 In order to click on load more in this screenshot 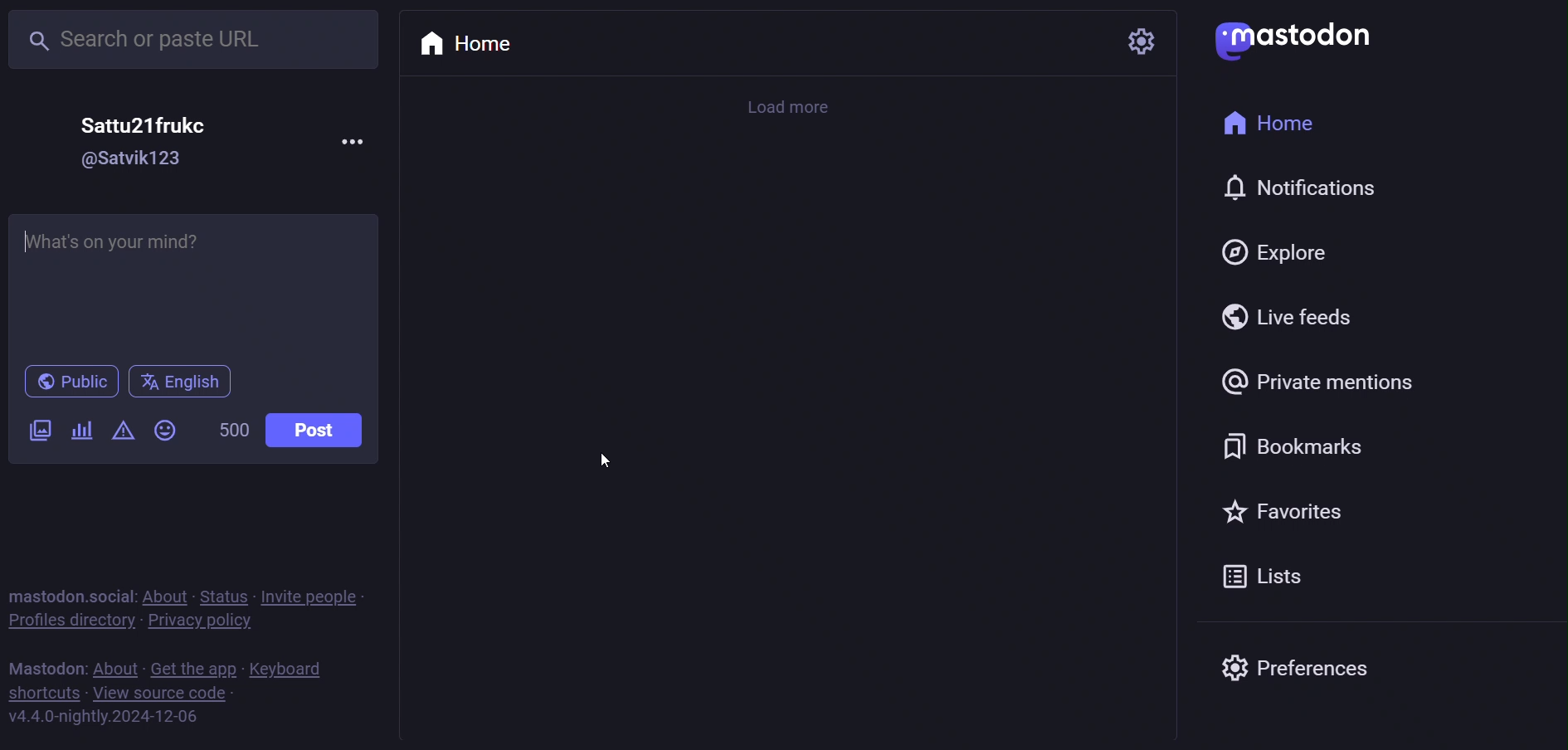, I will do `click(791, 110)`.